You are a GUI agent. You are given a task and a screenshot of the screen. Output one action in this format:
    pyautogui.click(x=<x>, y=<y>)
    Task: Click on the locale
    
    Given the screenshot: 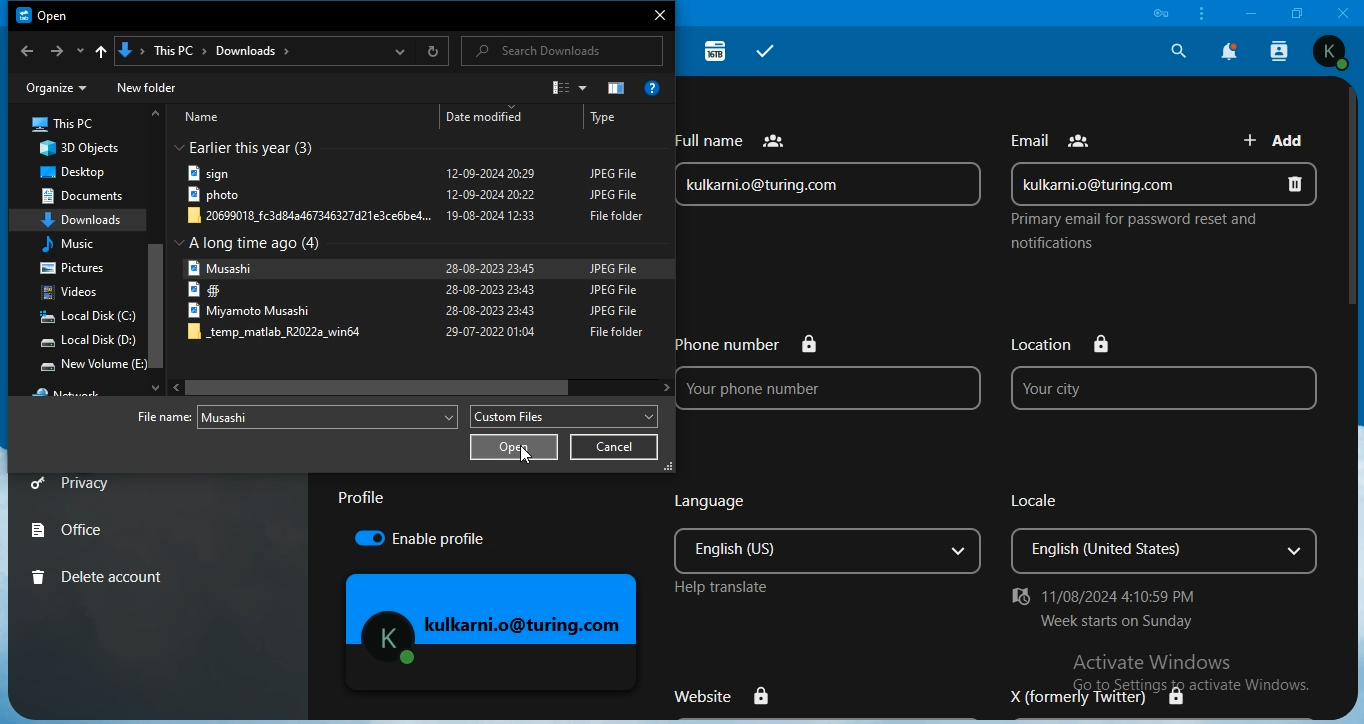 What is the action you would take?
    pyautogui.click(x=1165, y=531)
    